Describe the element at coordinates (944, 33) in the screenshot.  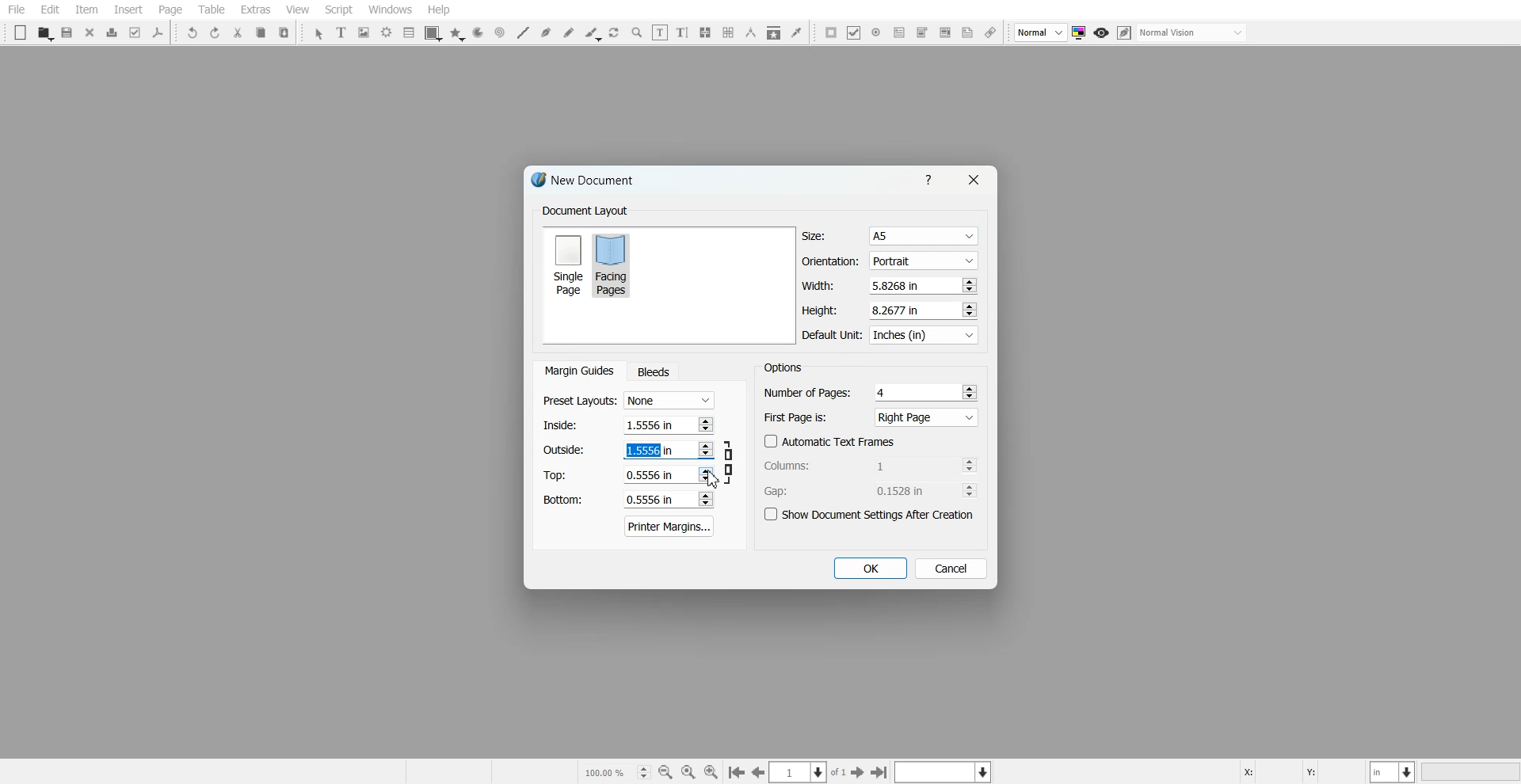
I see `PDF List Box` at that location.